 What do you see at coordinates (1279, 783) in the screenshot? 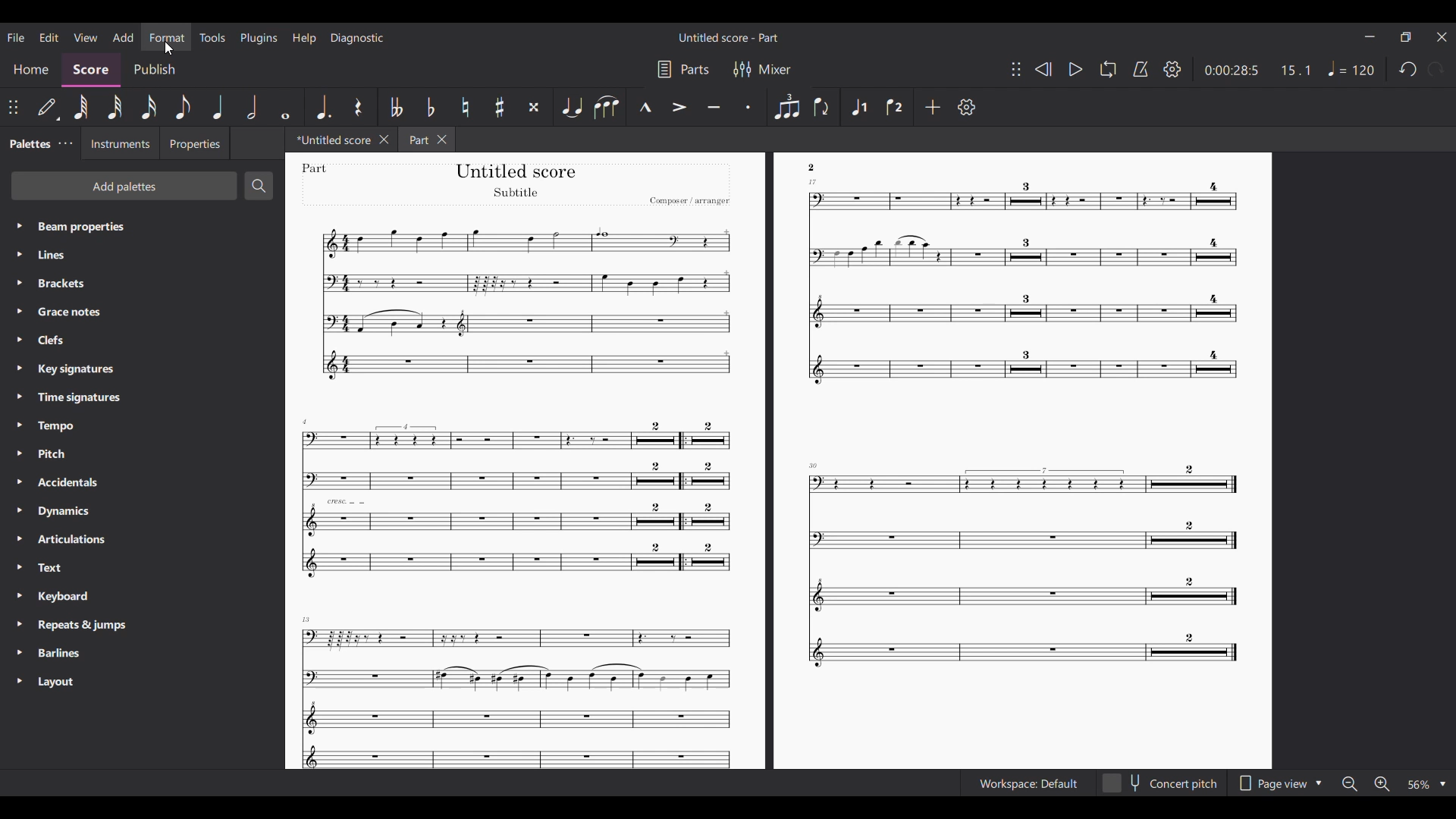
I see `Page view options` at bounding box center [1279, 783].